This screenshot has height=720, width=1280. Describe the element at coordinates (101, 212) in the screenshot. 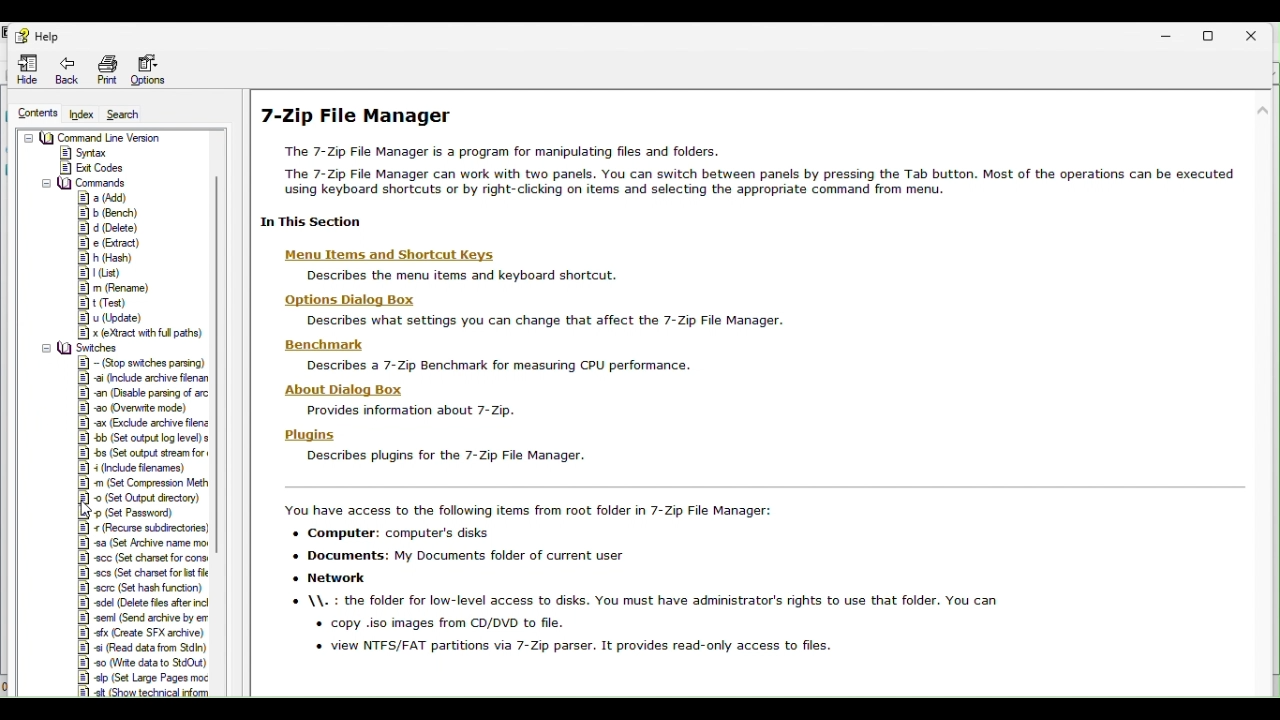

I see `Bench` at that location.